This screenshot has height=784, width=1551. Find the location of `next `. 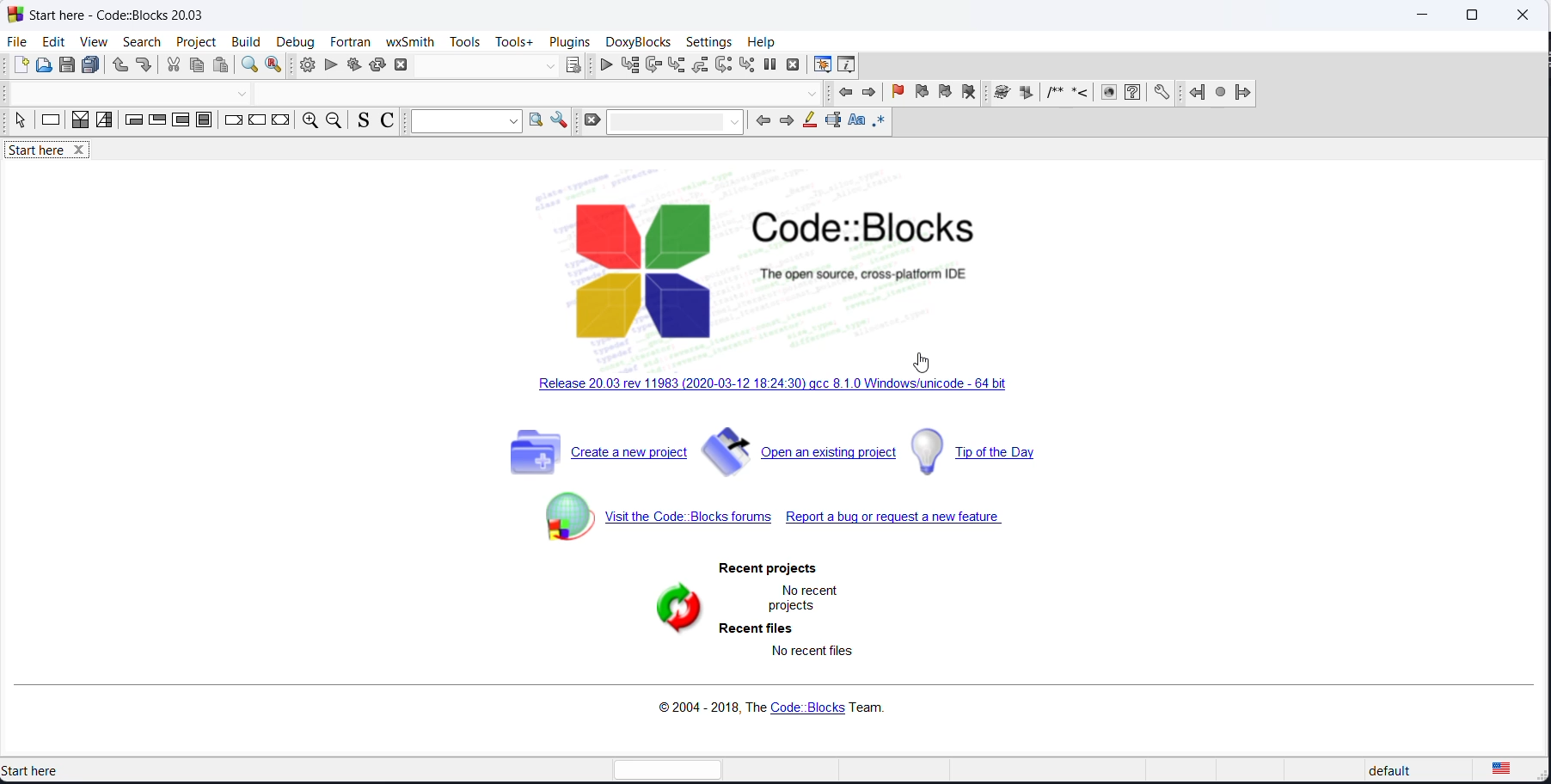

next  is located at coordinates (785, 123).